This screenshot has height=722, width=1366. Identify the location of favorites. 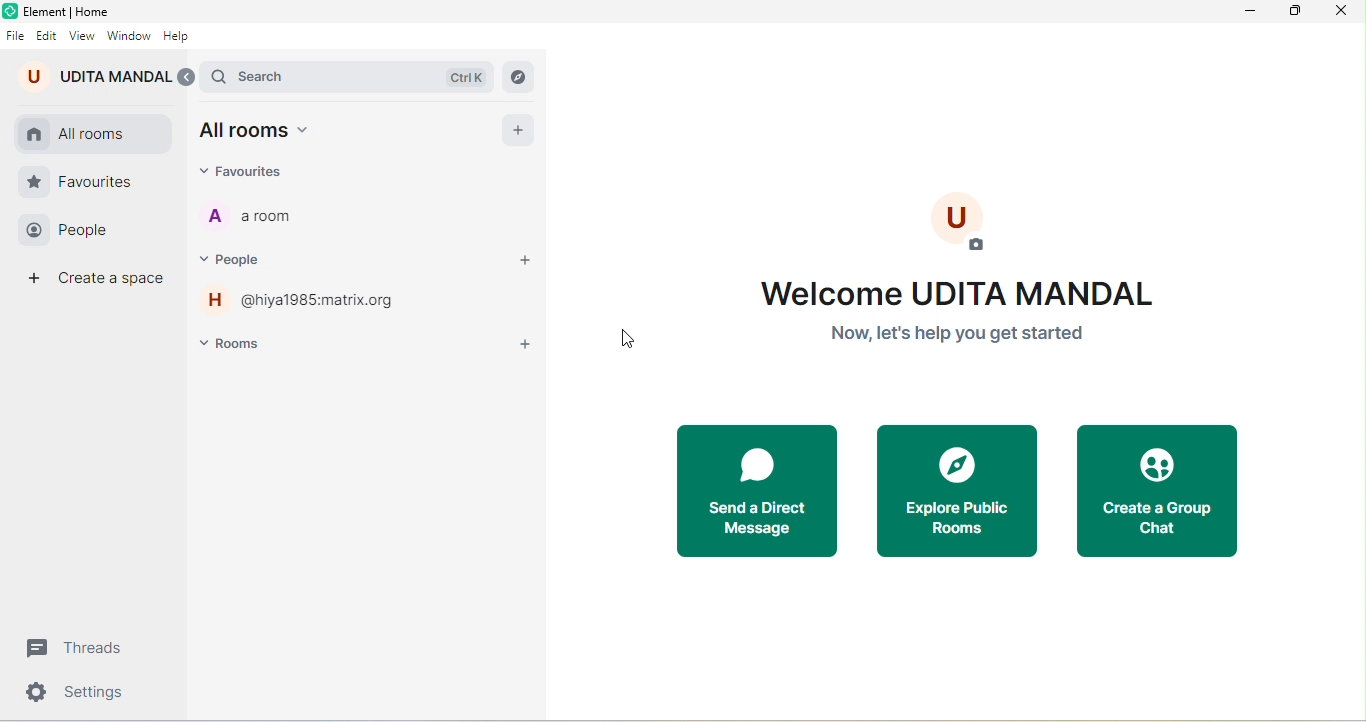
(260, 174).